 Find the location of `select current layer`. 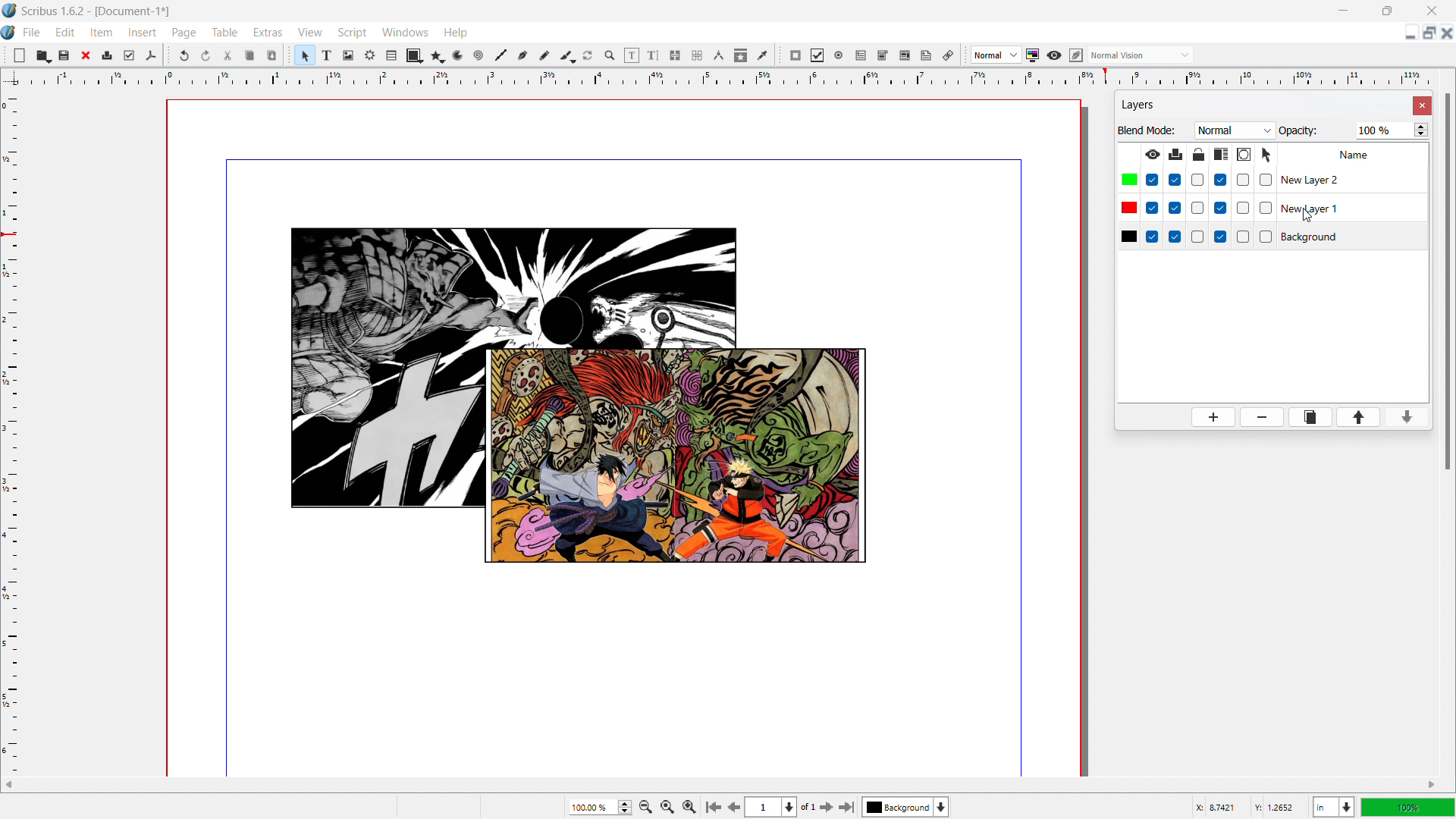

select current layer is located at coordinates (905, 807).